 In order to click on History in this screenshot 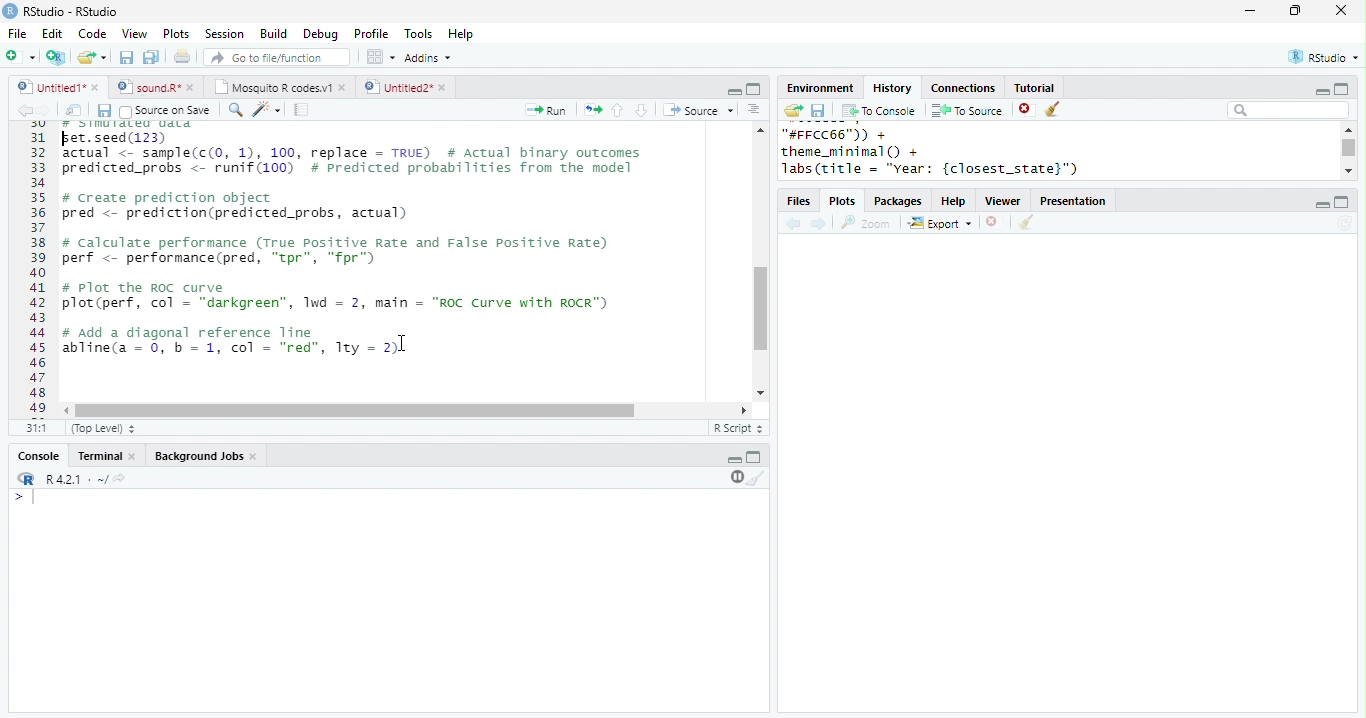, I will do `click(892, 88)`.